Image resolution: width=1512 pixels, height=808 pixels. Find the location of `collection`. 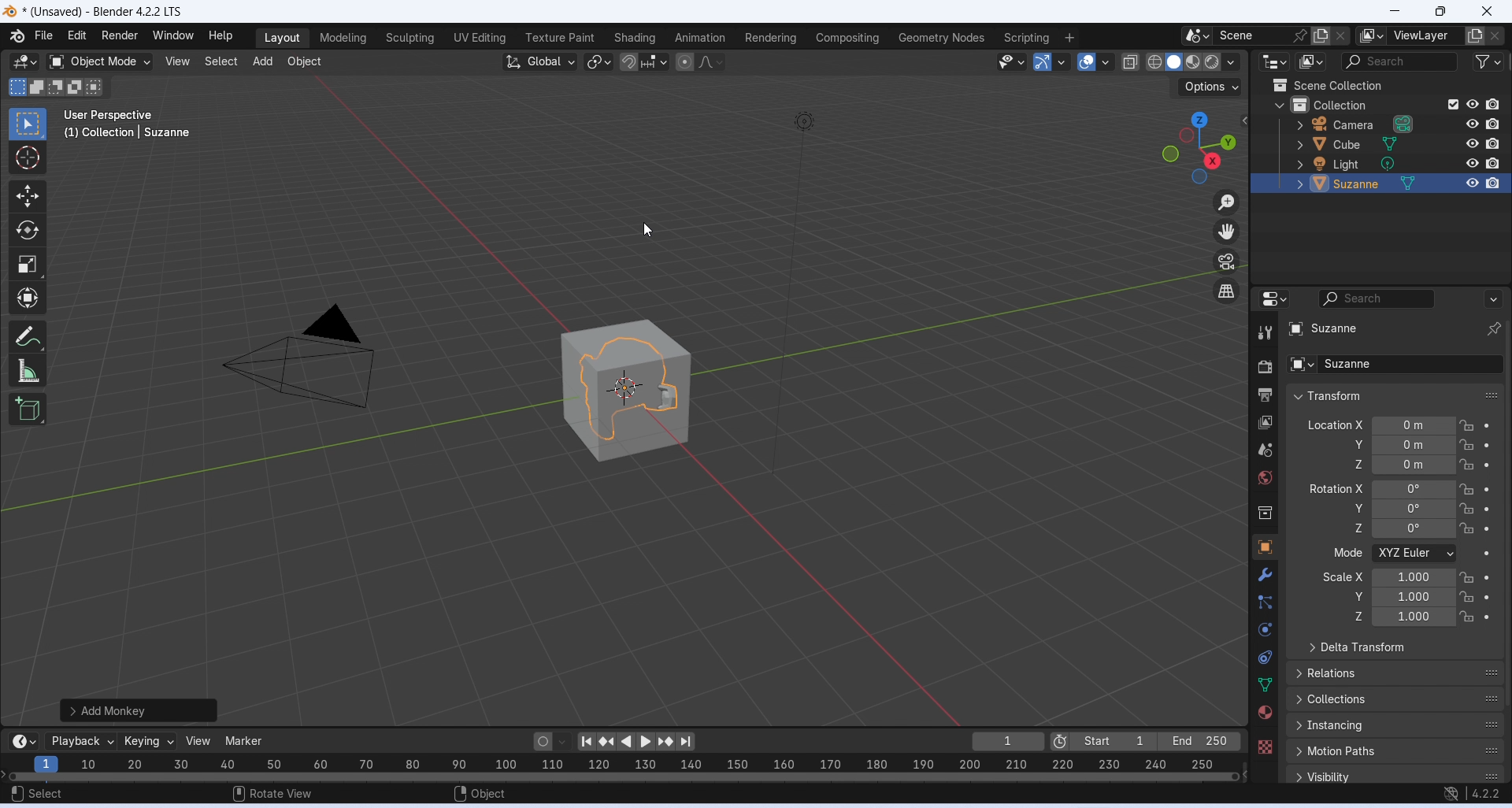

collection is located at coordinates (1266, 514).